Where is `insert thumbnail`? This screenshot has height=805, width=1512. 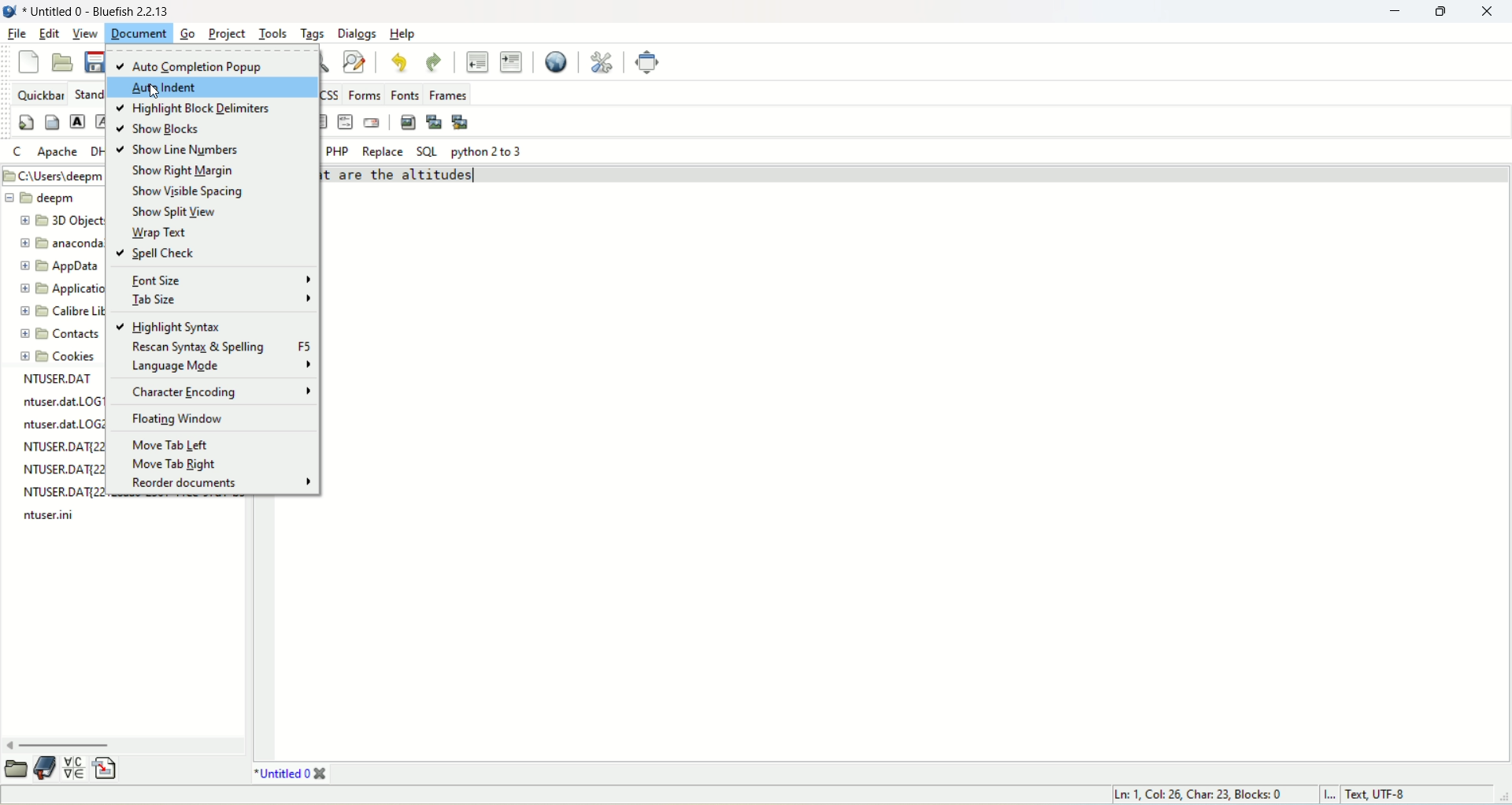
insert thumbnail is located at coordinates (435, 125).